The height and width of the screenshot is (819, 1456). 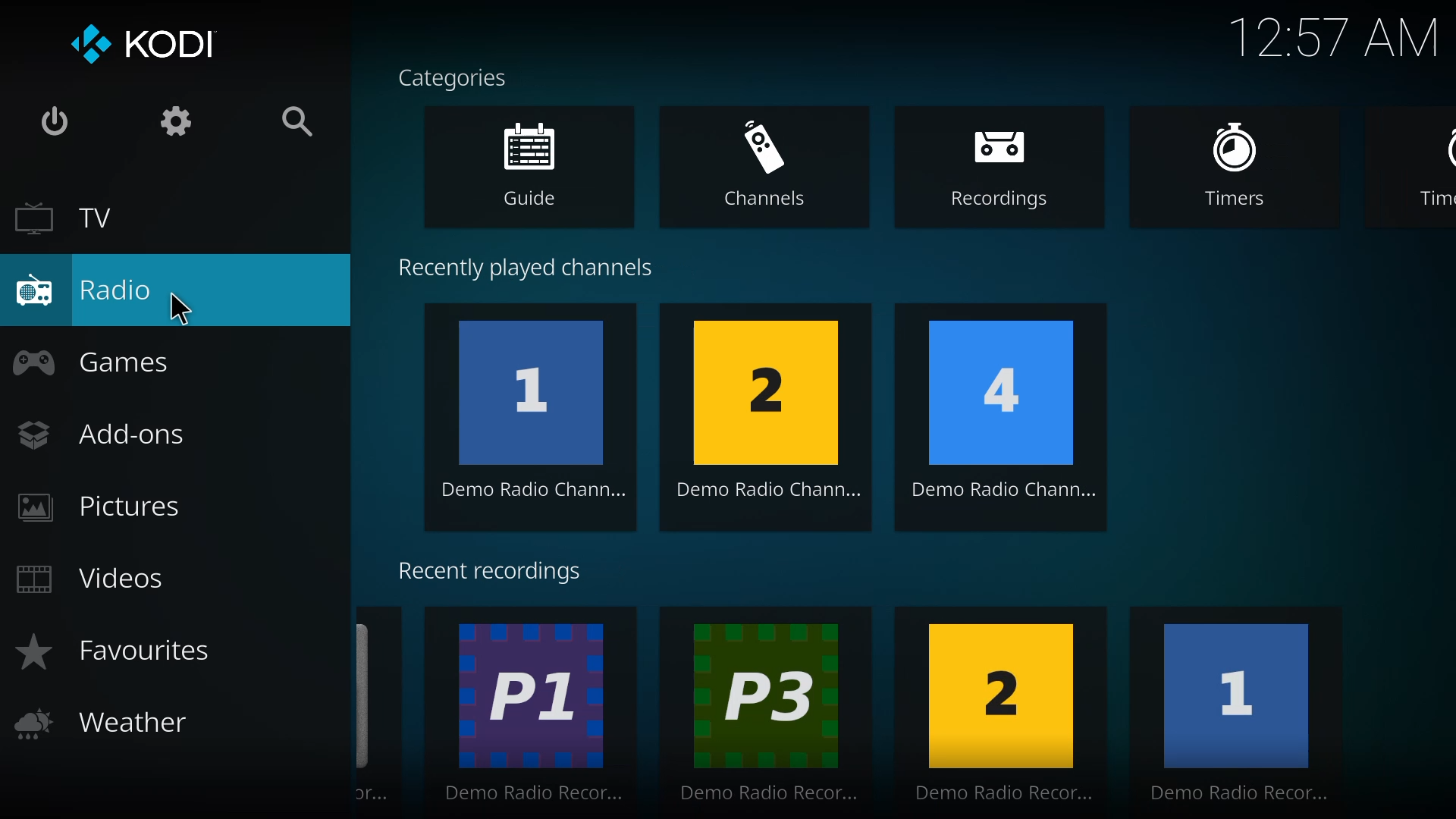 I want to click on radio, so click(x=174, y=287).